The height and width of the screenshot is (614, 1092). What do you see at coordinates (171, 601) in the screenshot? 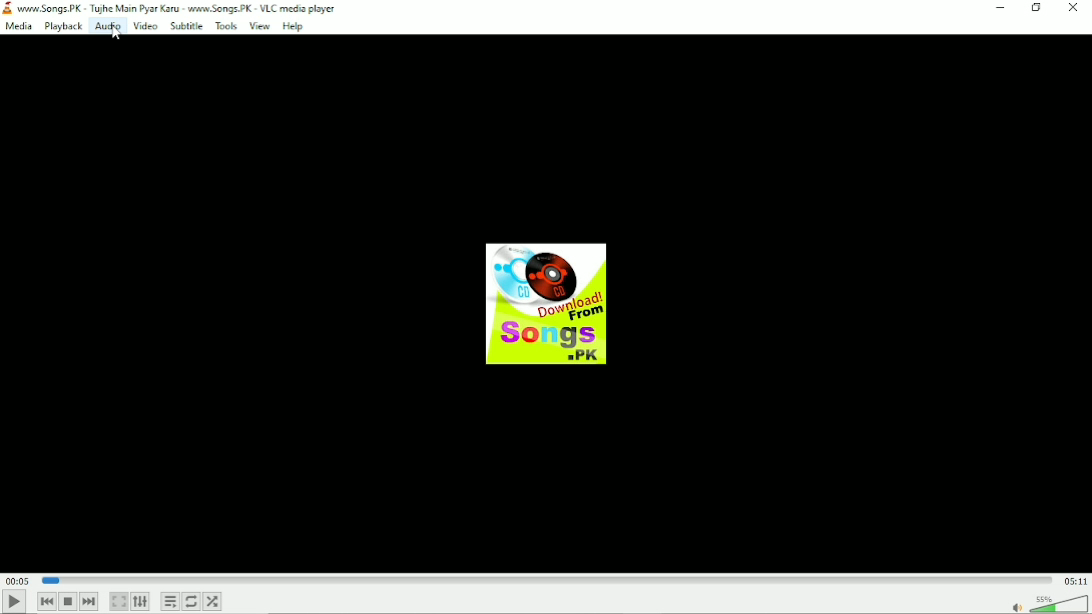
I see `Toggle playlist` at bounding box center [171, 601].